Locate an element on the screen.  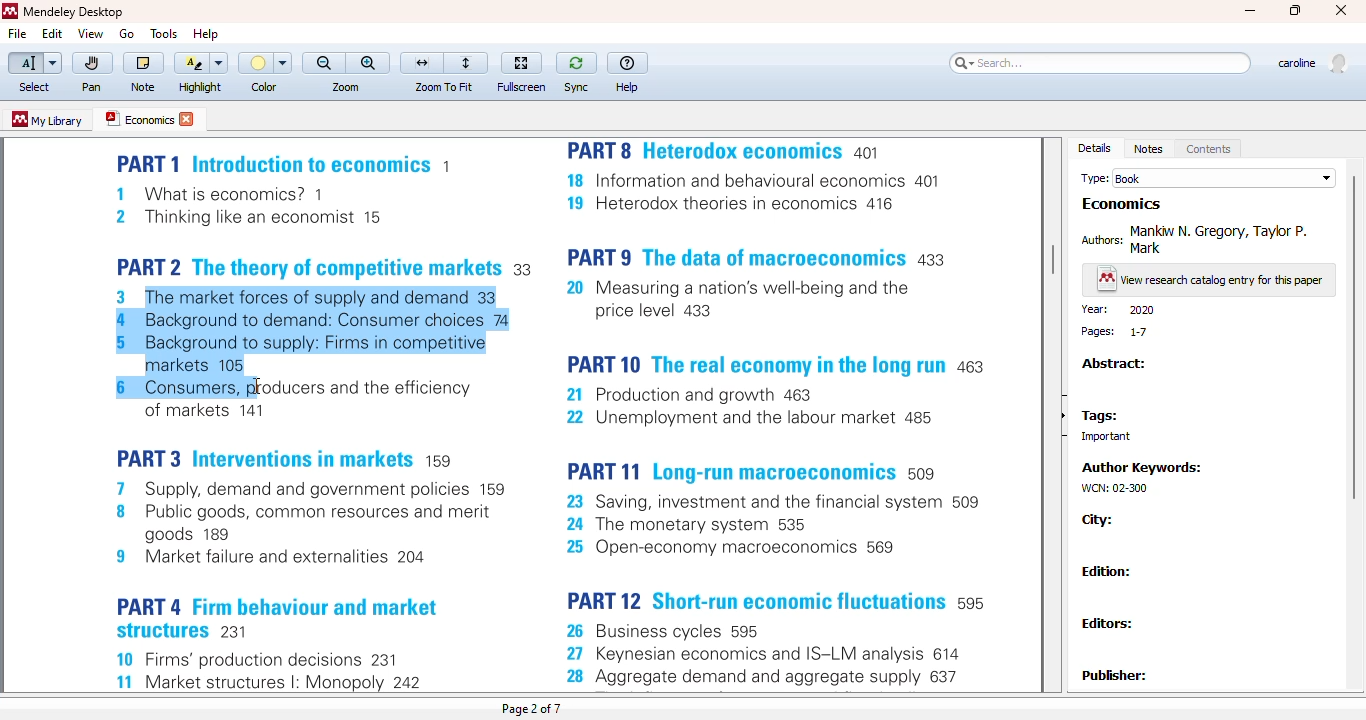
logo is located at coordinates (9, 11).